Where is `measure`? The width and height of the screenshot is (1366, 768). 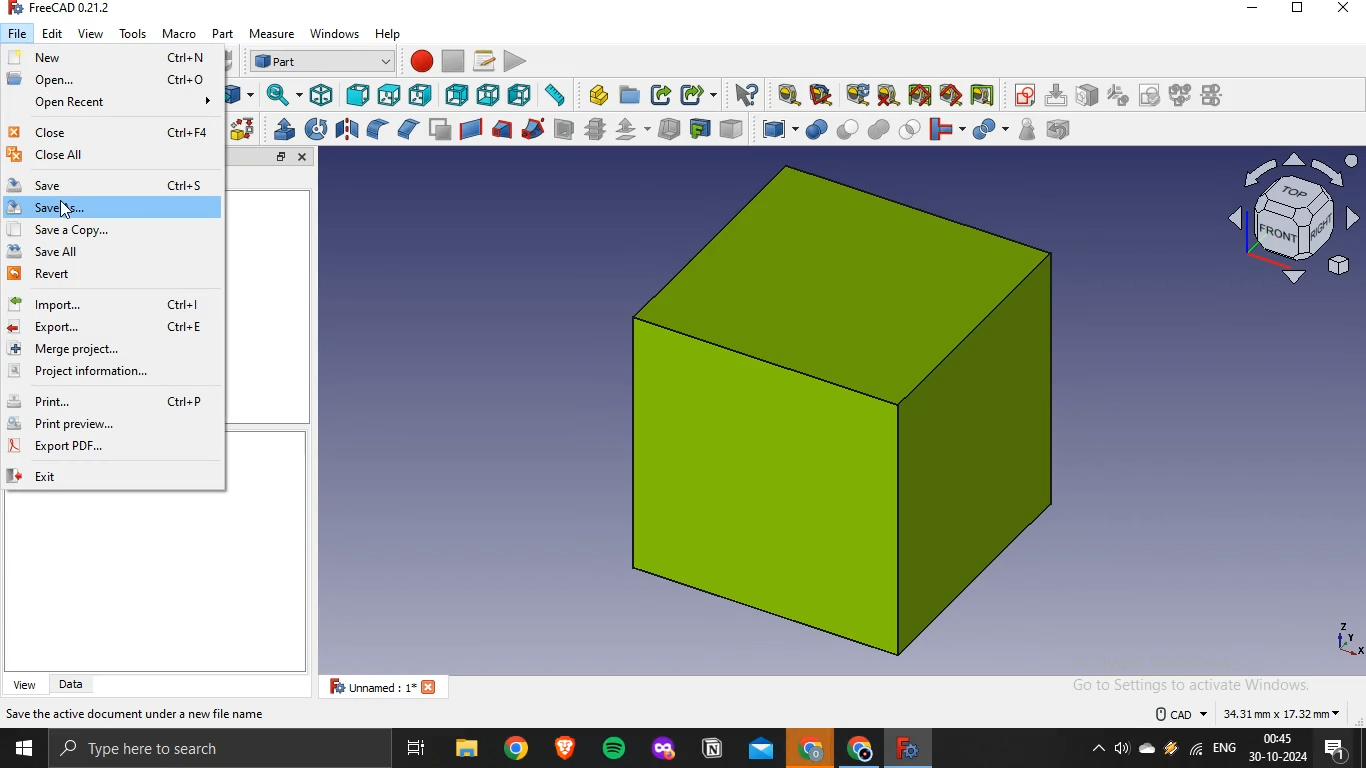 measure is located at coordinates (273, 33).